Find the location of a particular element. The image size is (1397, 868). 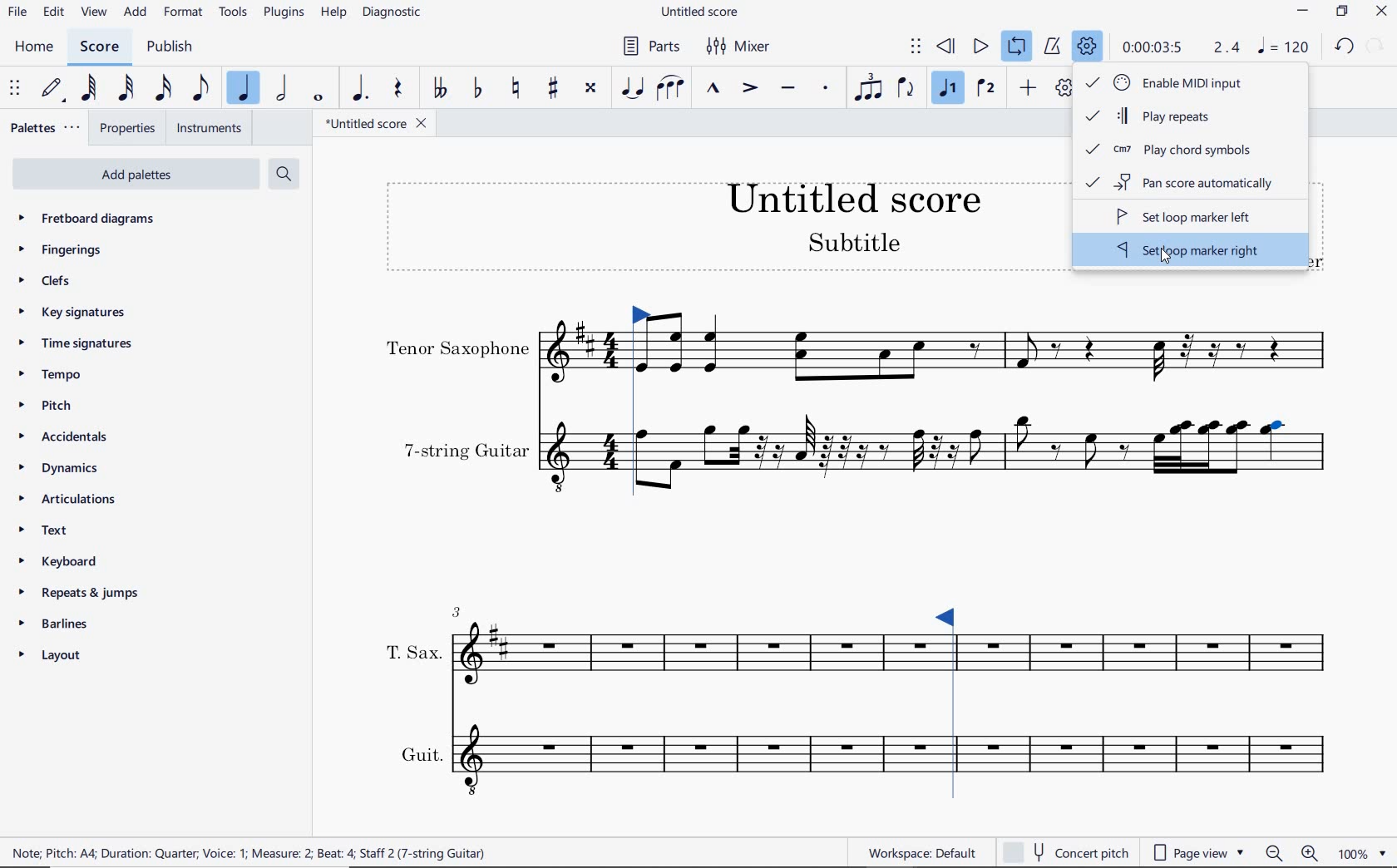

page view is located at coordinates (1198, 854).